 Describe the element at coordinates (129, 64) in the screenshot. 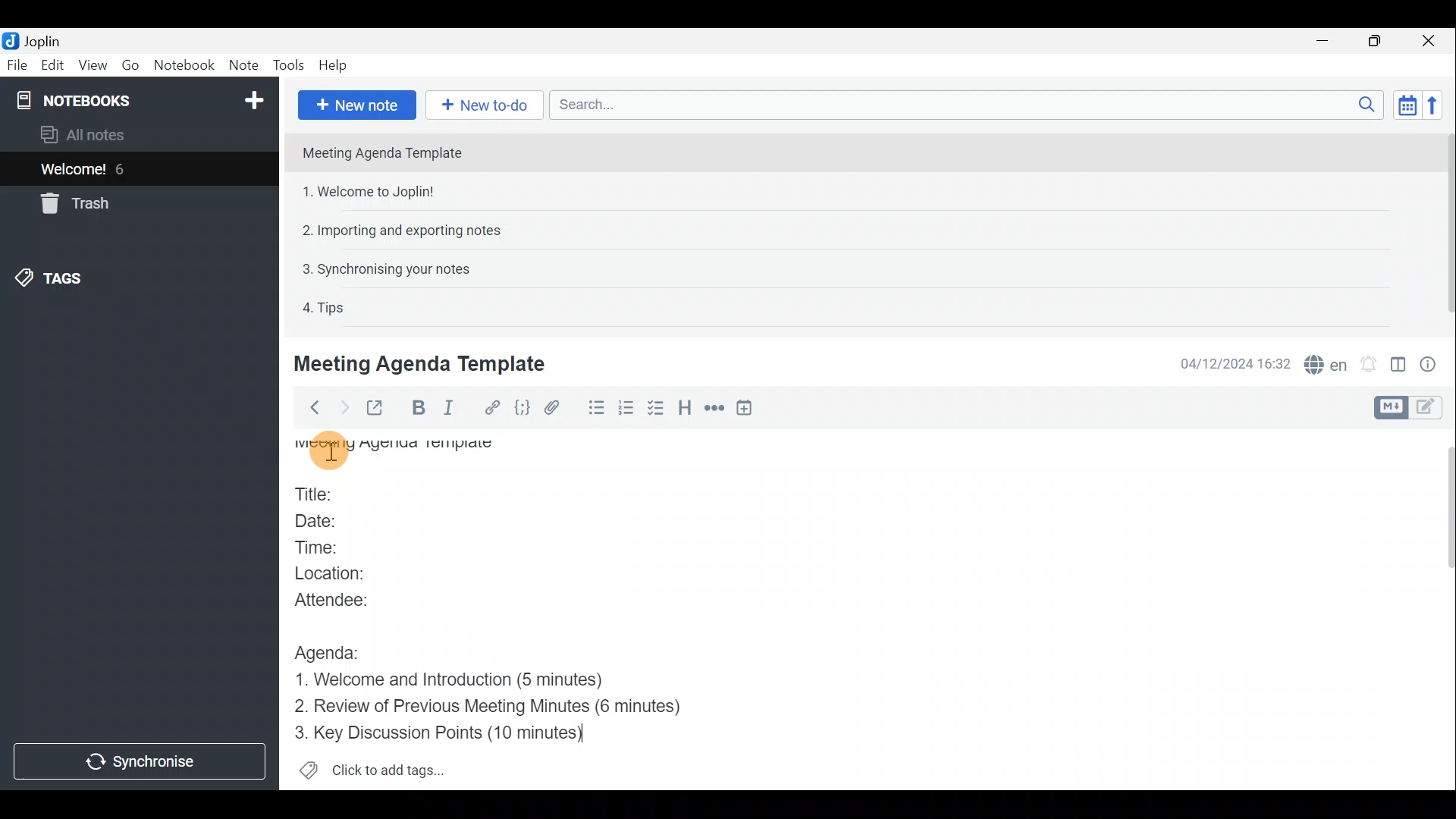

I see `Go` at that location.